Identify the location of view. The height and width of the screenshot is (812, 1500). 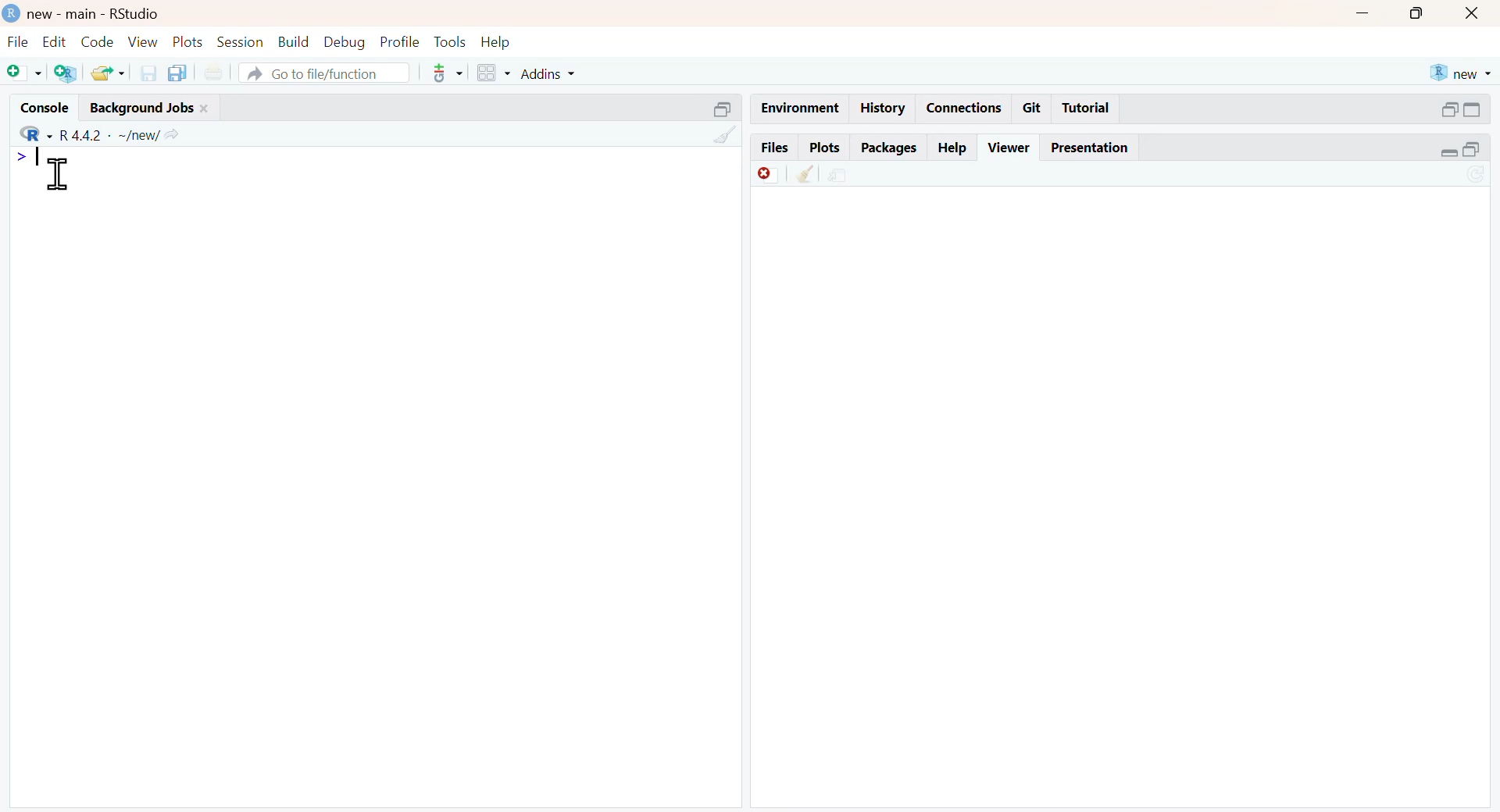
(144, 41).